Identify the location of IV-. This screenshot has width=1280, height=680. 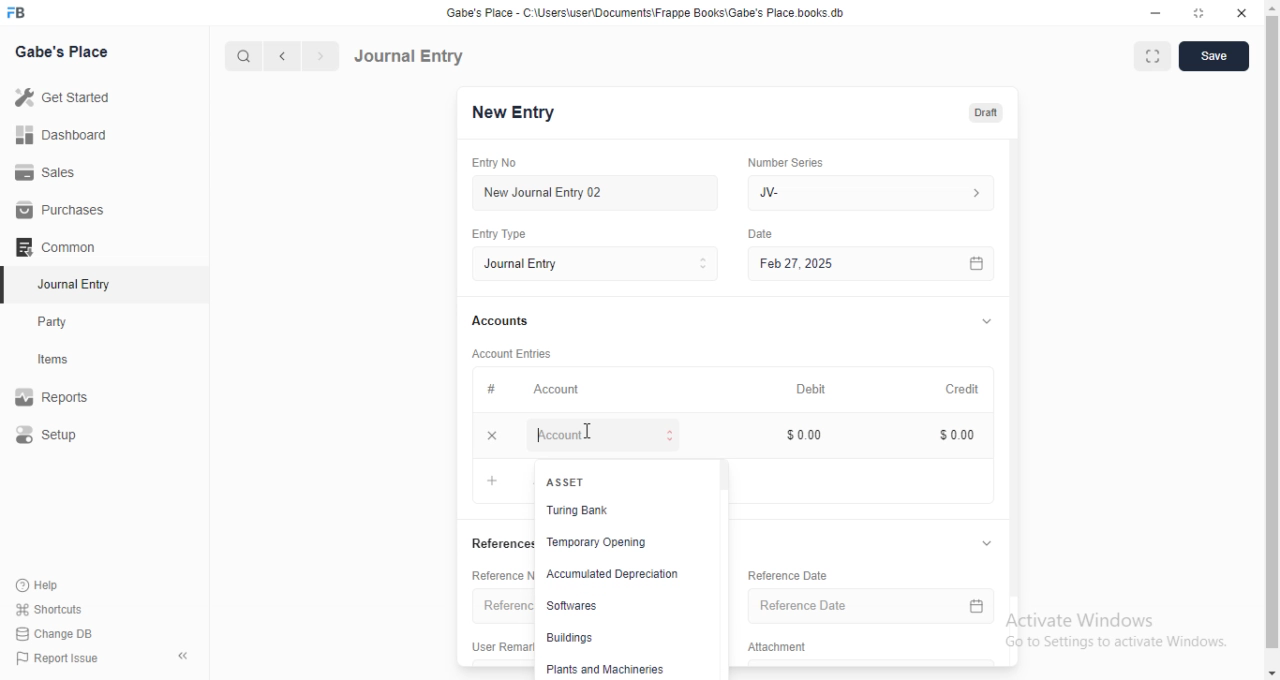
(877, 192).